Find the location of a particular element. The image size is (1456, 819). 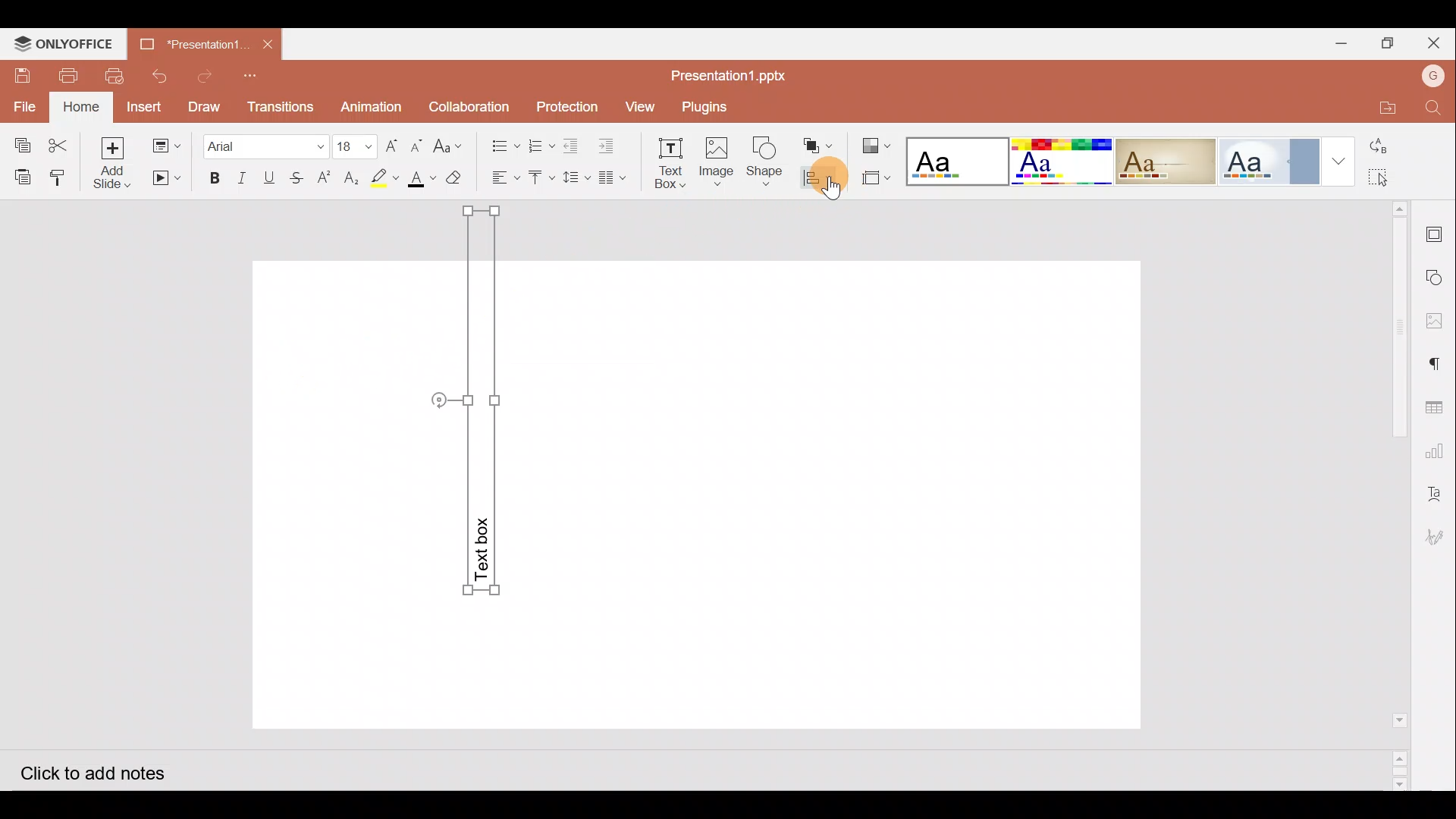

View is located at coordinates (639, 105).